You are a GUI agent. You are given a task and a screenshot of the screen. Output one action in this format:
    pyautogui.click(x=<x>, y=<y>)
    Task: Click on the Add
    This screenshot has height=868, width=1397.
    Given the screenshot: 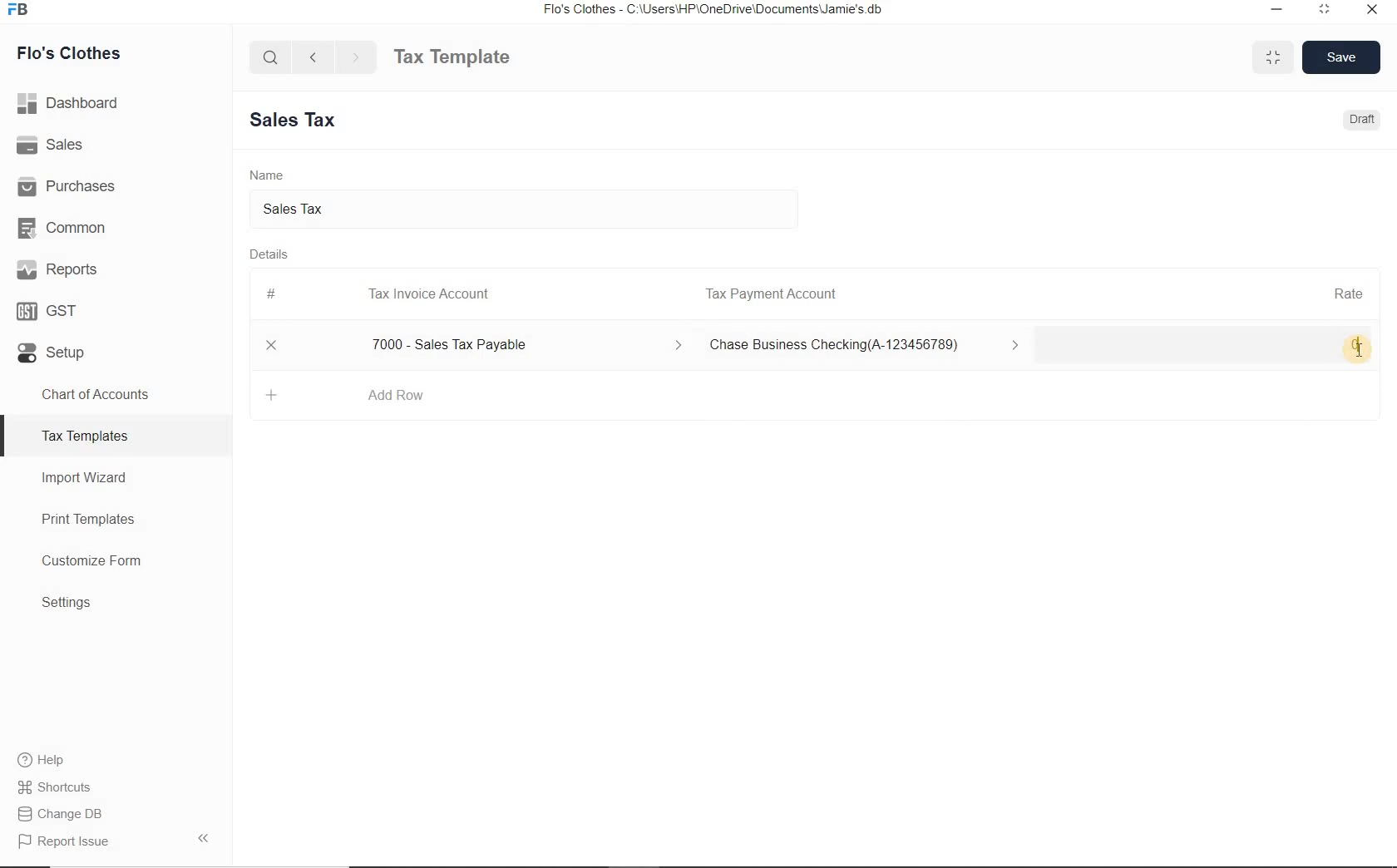 What is the action you would take?
    pyautogui.click(x=273, y=395)
    